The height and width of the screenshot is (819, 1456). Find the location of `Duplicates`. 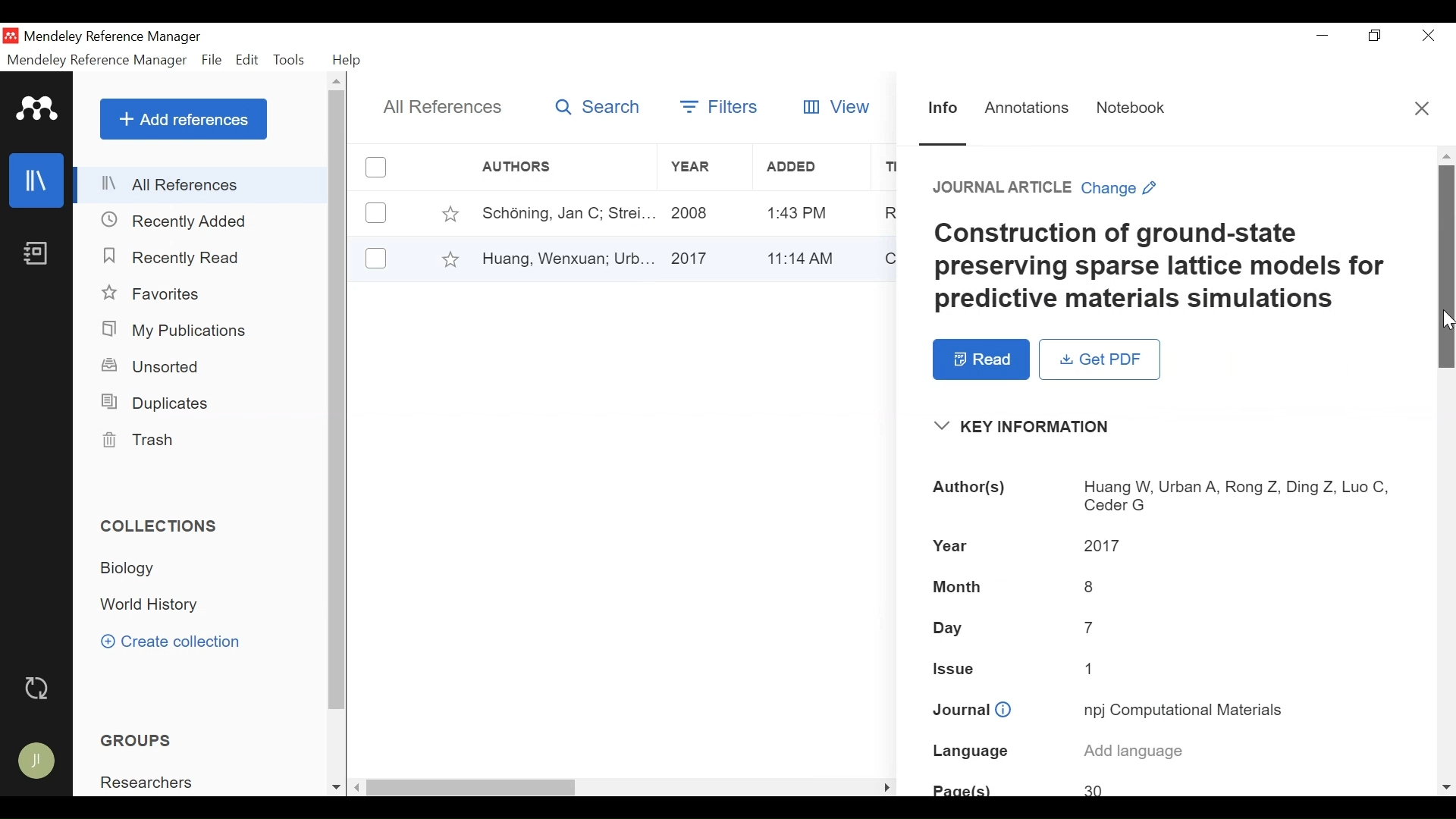

Duplicates is located at coordinates (153, 403).